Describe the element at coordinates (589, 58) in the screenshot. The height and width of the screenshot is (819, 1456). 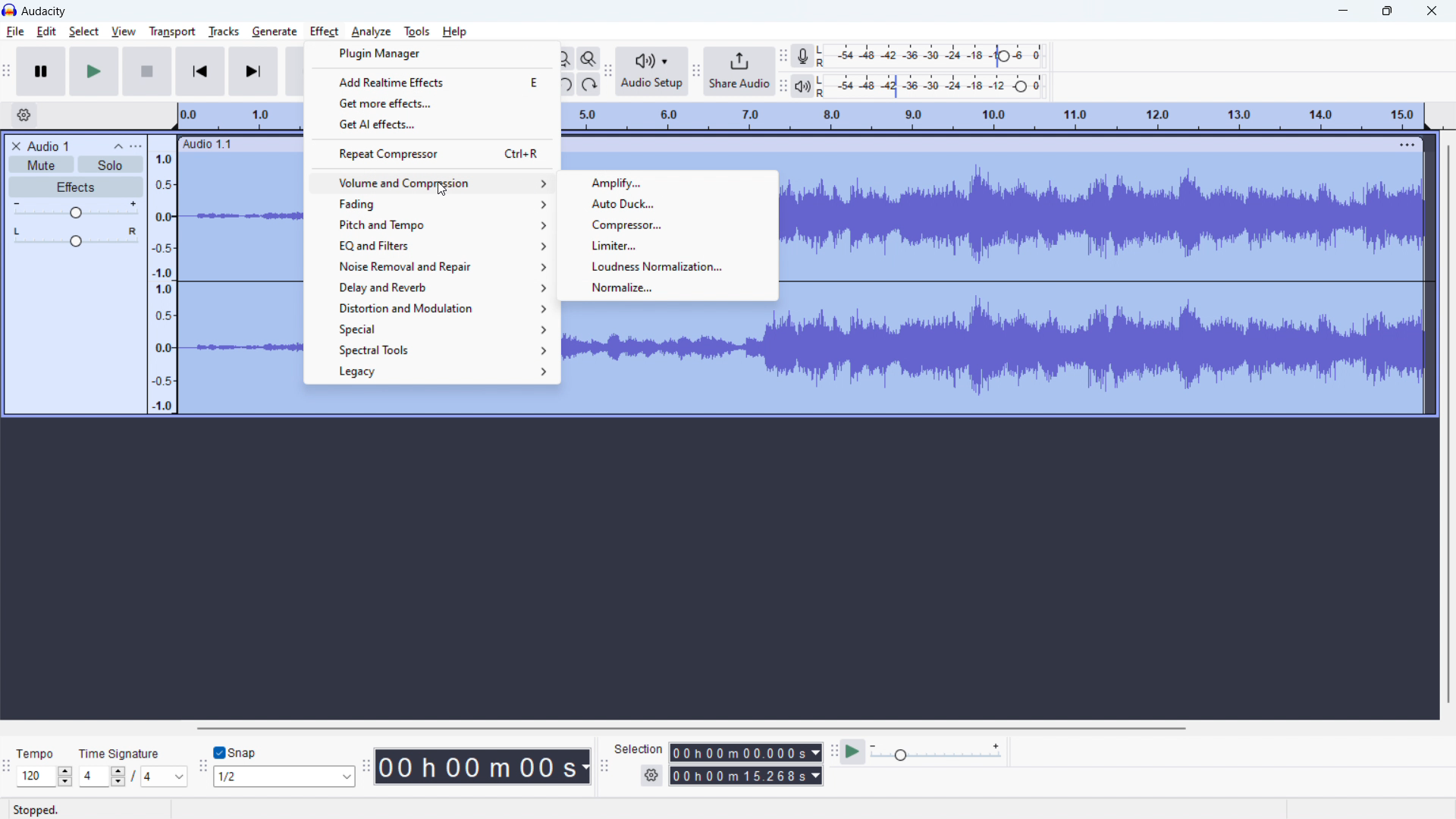
I see `toggle zoom` at that location.